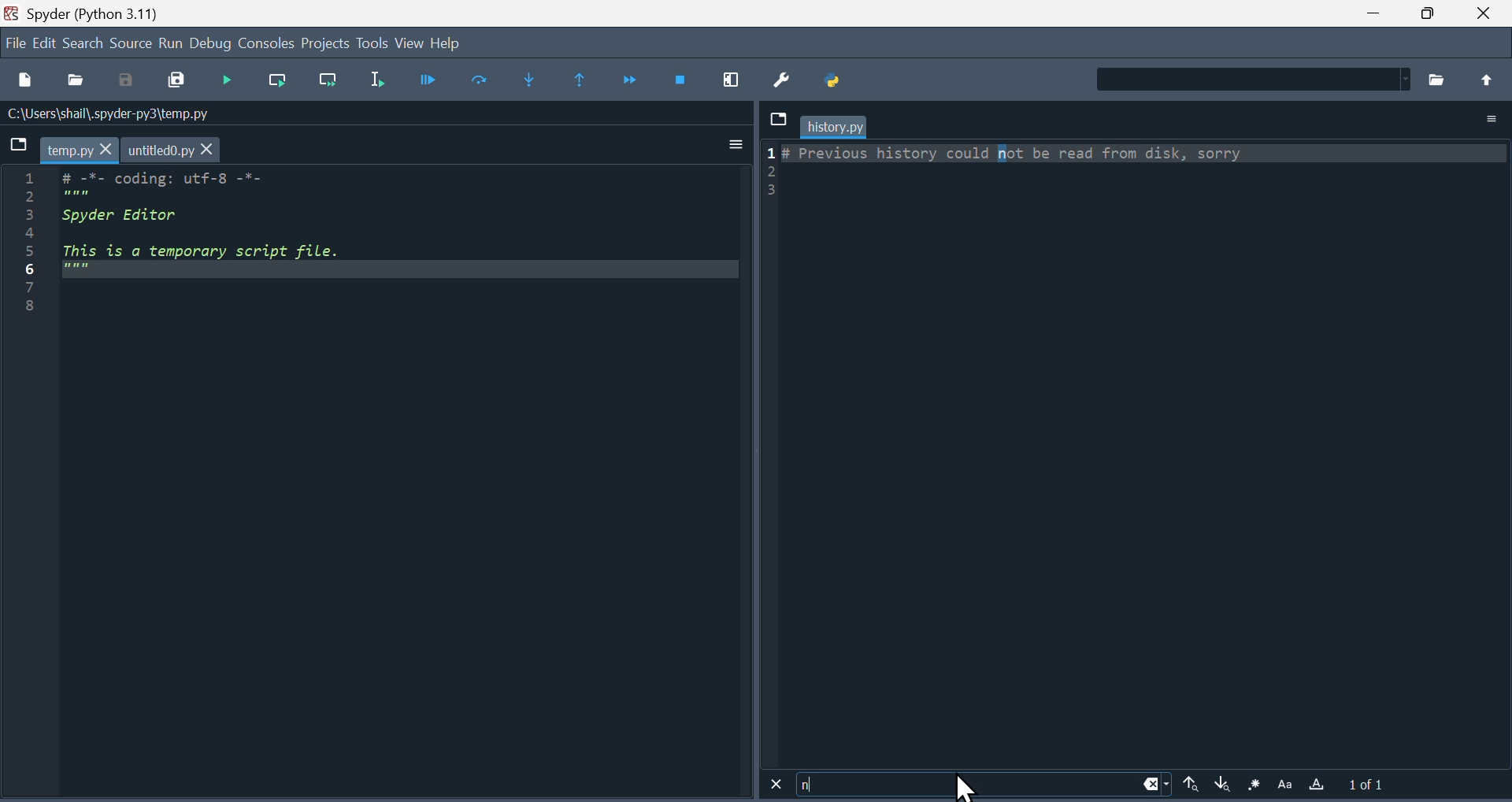 Image resolution: width=1512 pixels, height=802 pixels. Describe the element at coordinates (737, 143) in the screenshot. I see `more options` at that location.